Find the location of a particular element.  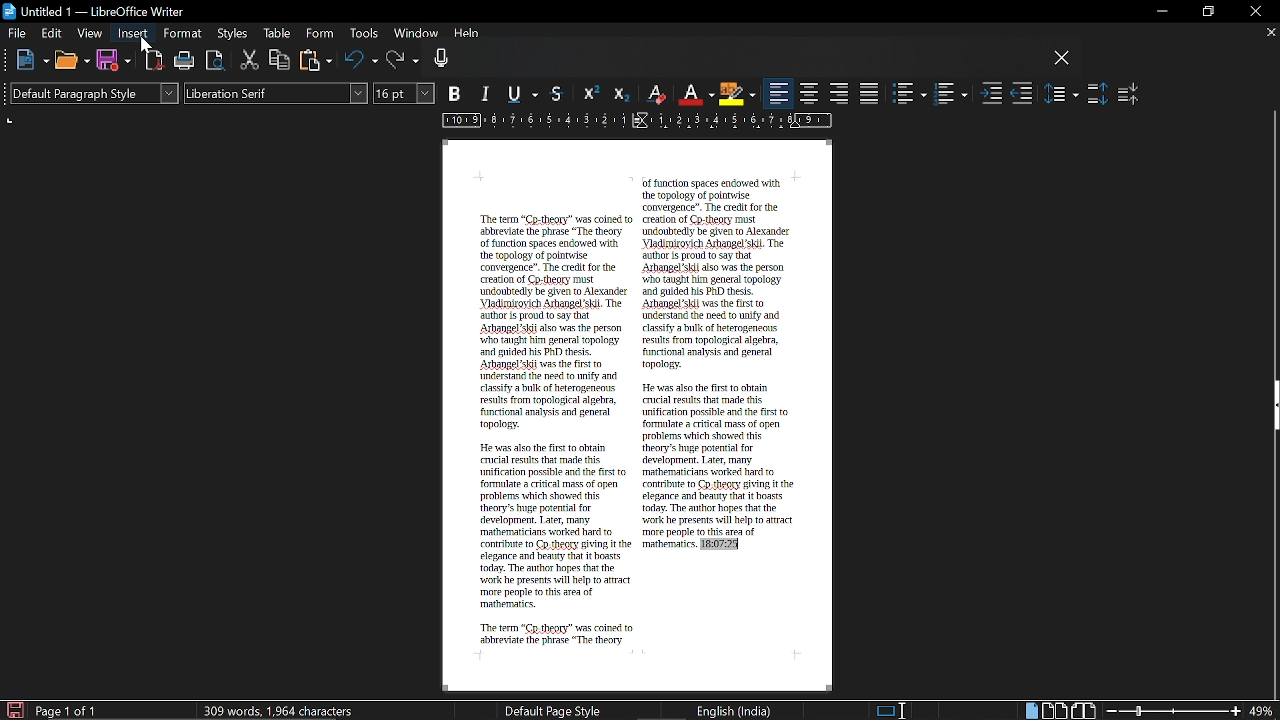

untitled 1 - libreoffice writer is located at coordinates (97, 9).